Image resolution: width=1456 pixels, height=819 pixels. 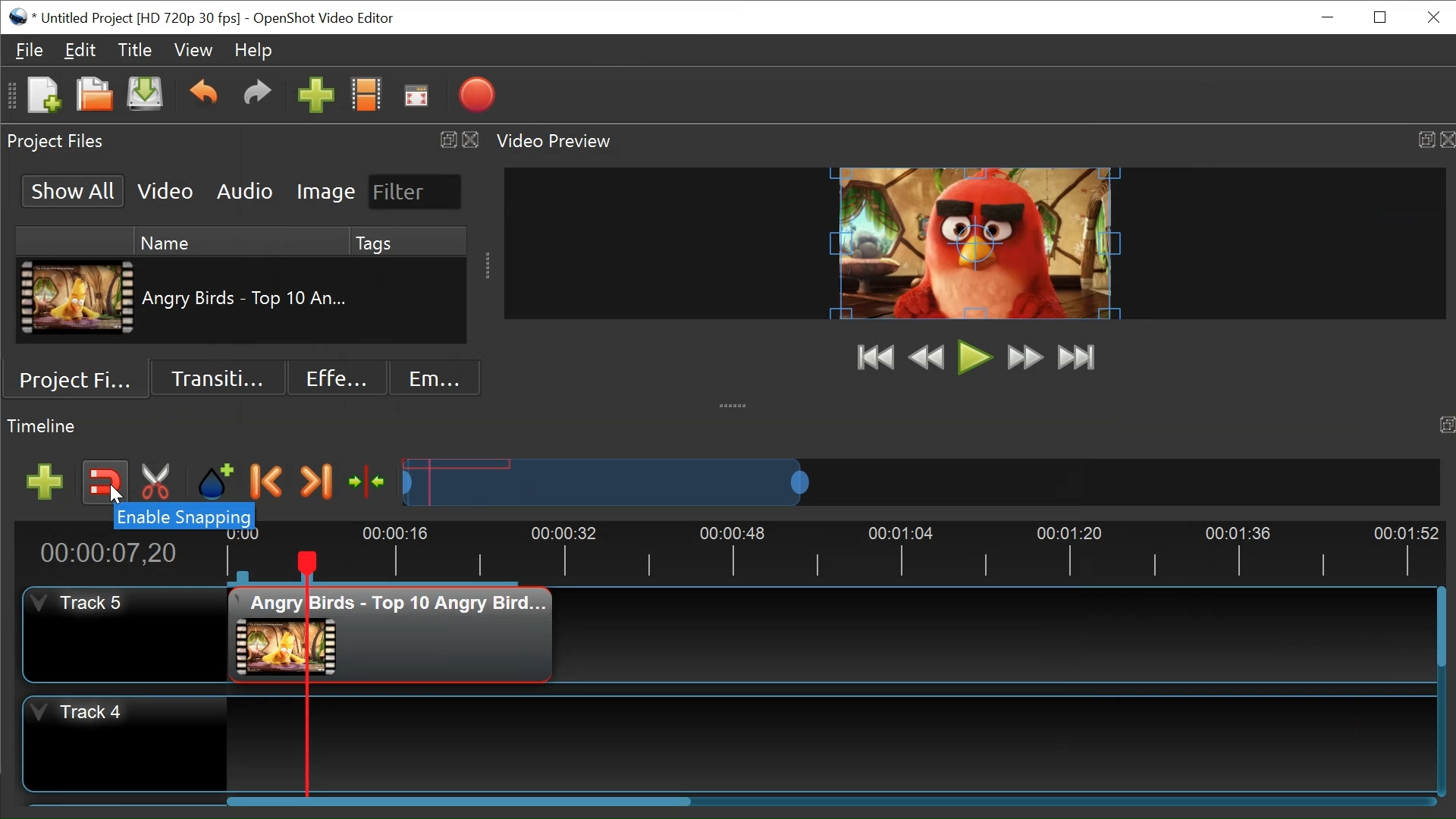 I want to click on Clip Nmae, so click(x=261, y=300).